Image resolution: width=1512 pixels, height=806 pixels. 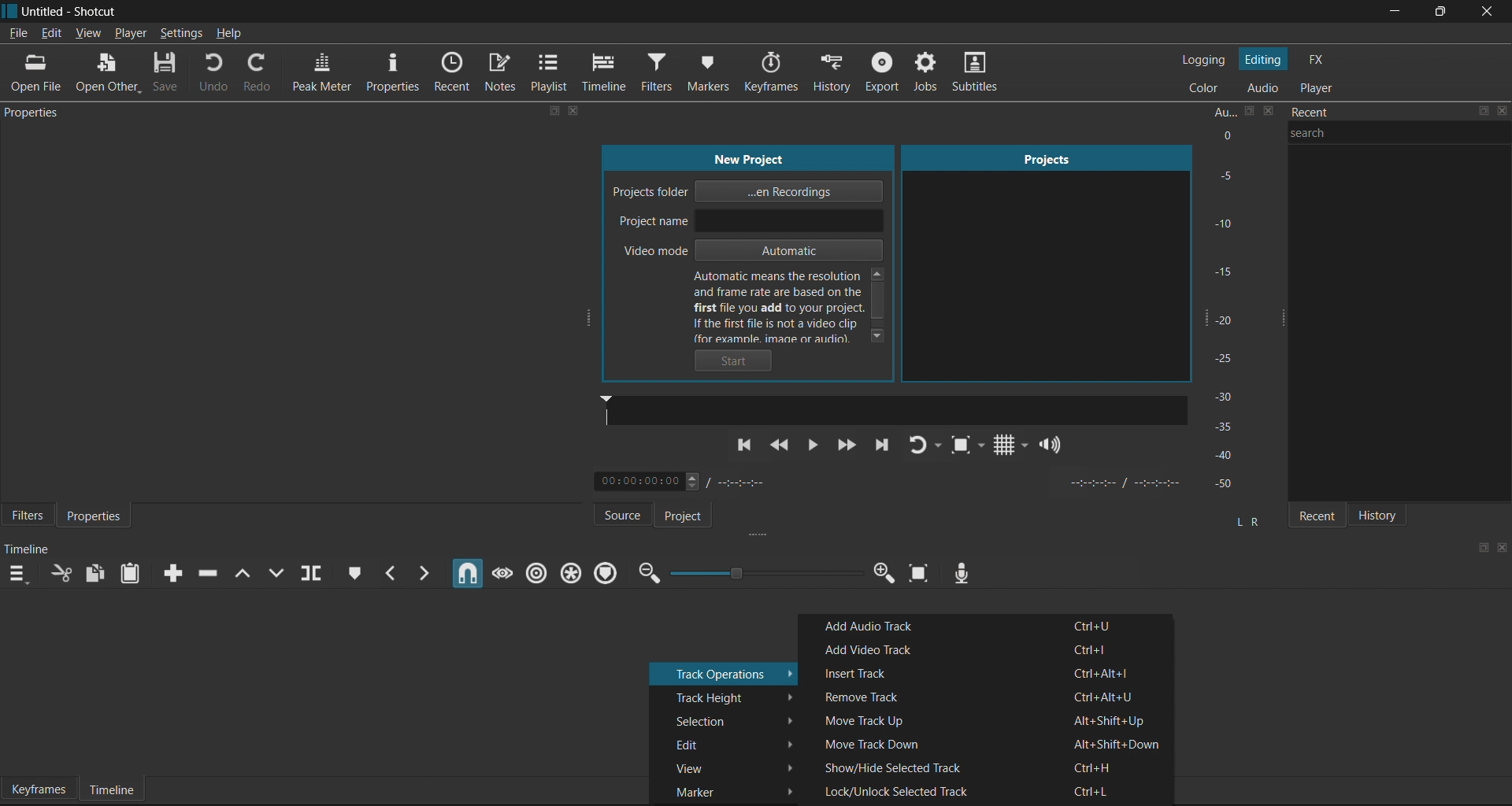 What do you see at coordinates (750, 222) in the screenshot?
I see `Project name` at bounding box center [750, 222].